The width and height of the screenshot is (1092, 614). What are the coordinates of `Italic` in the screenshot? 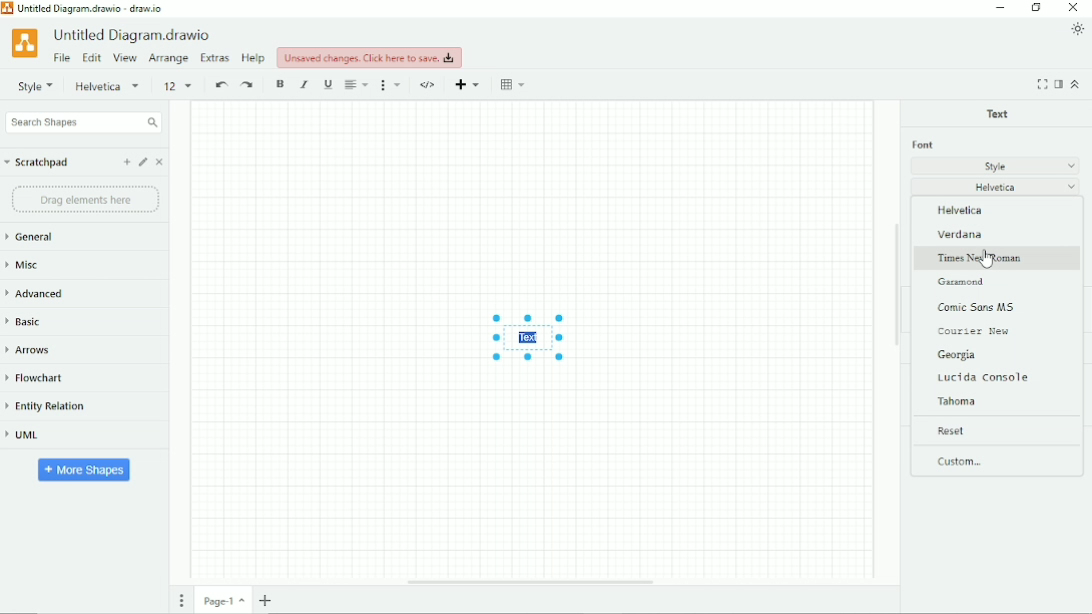 It's located at (304, 84).